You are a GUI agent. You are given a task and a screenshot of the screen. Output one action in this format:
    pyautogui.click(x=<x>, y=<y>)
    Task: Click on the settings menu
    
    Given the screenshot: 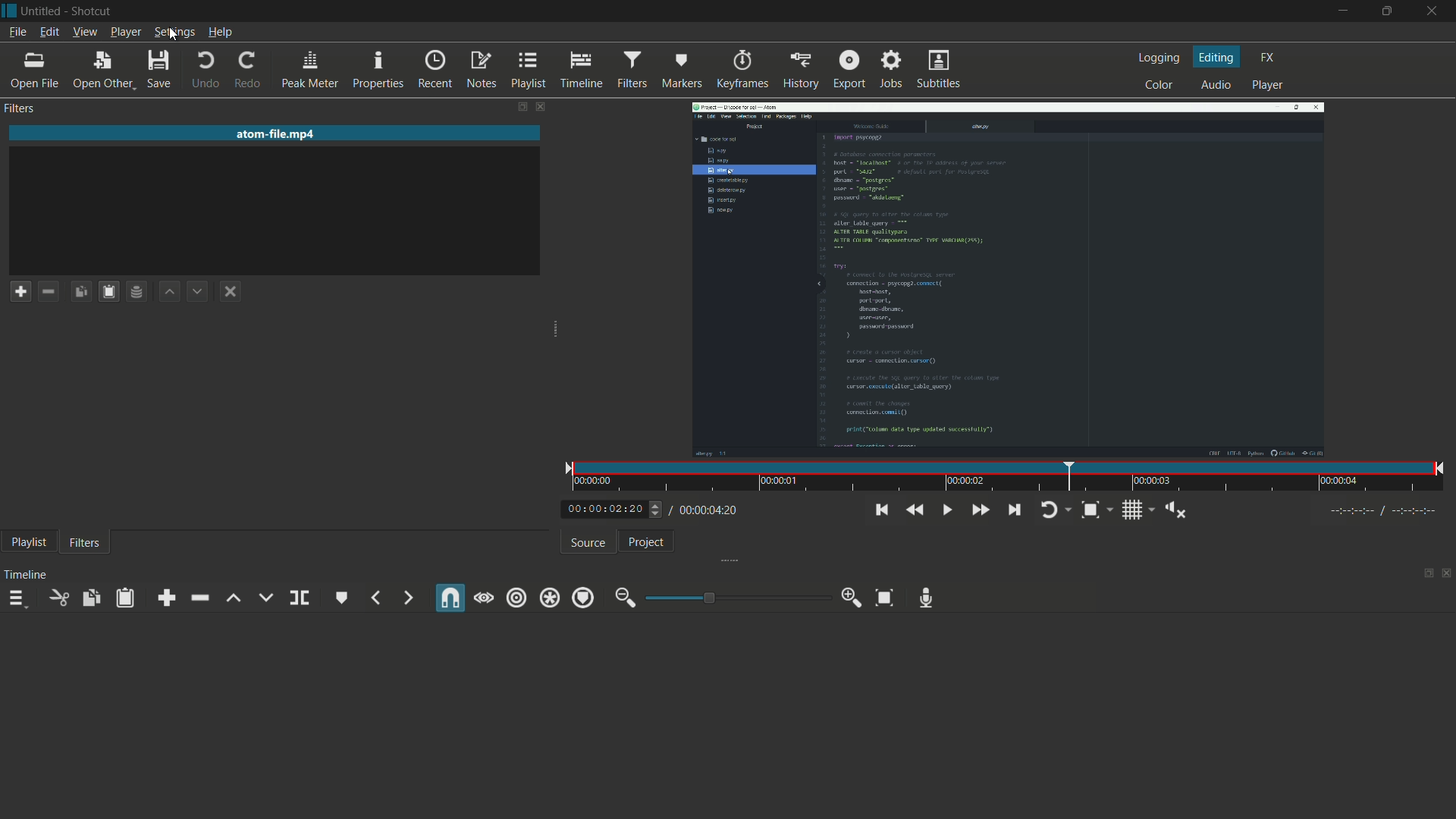 What is the action you would take?
    pyautogui.click(x=174, y=33)
    